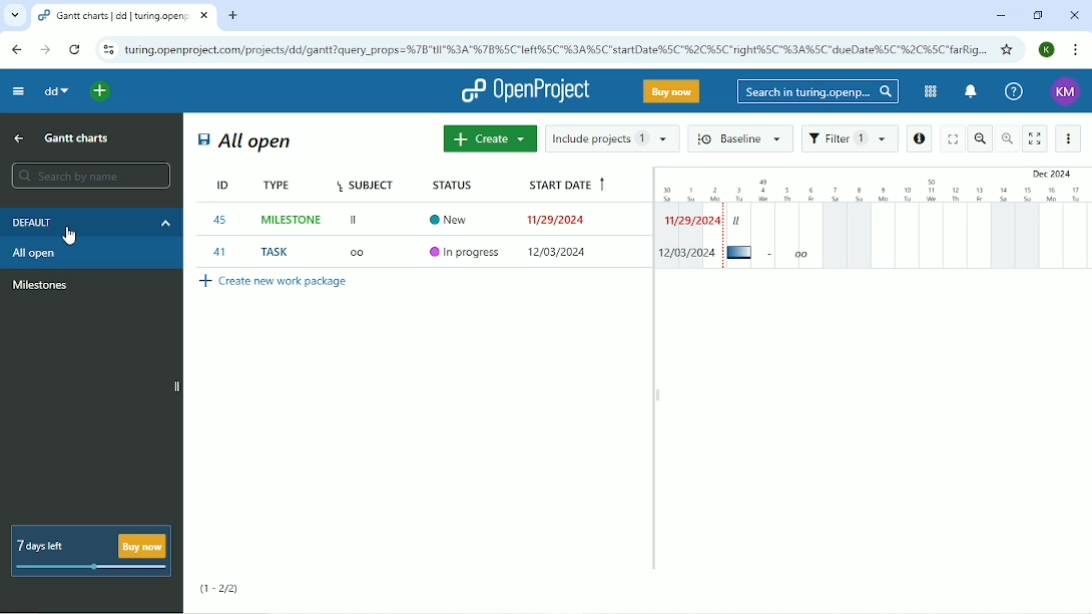  I want to click on Create new work package, so click(279, 283).